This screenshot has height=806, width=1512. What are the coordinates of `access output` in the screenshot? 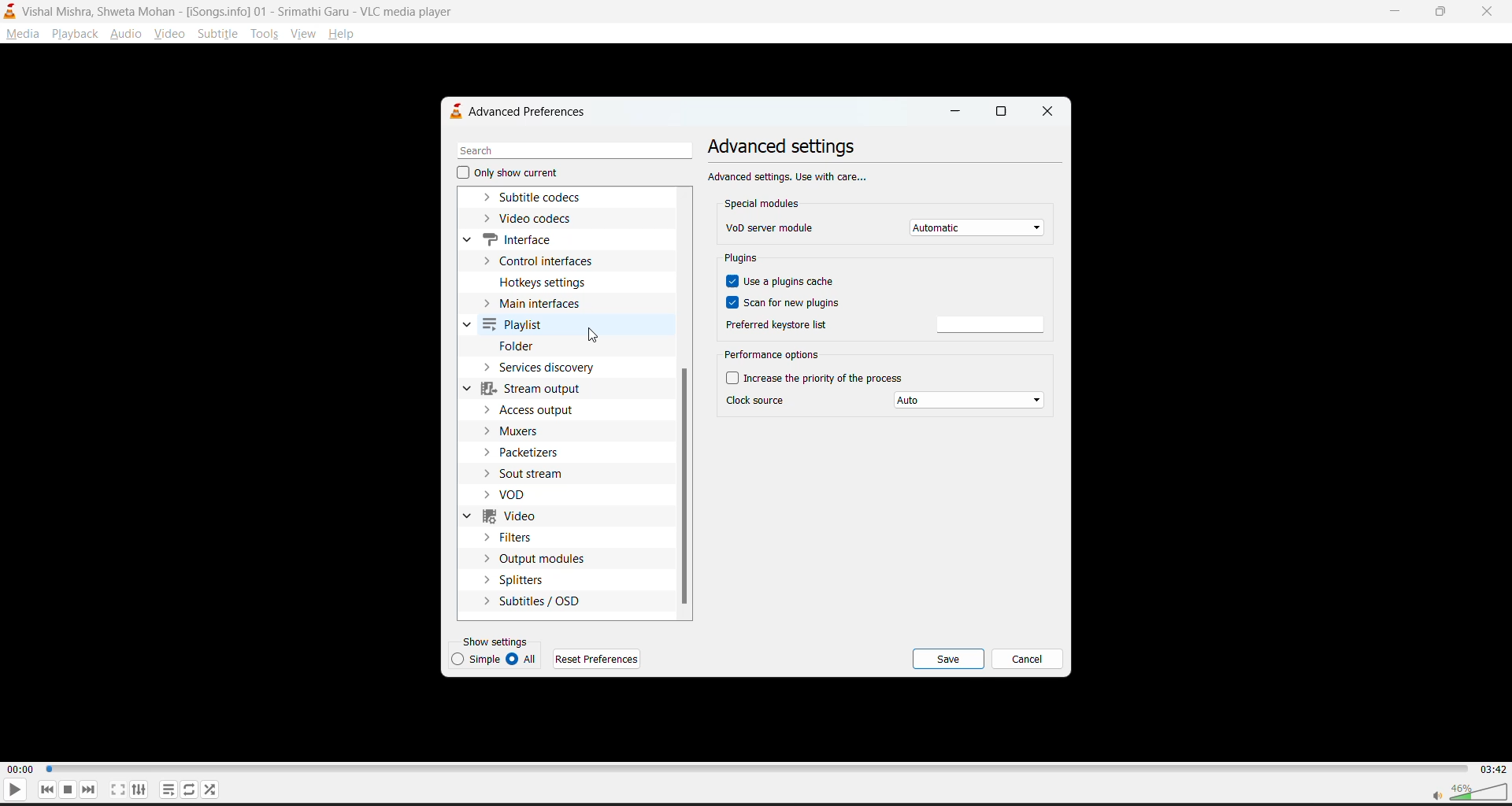 It's located at (533, 412).